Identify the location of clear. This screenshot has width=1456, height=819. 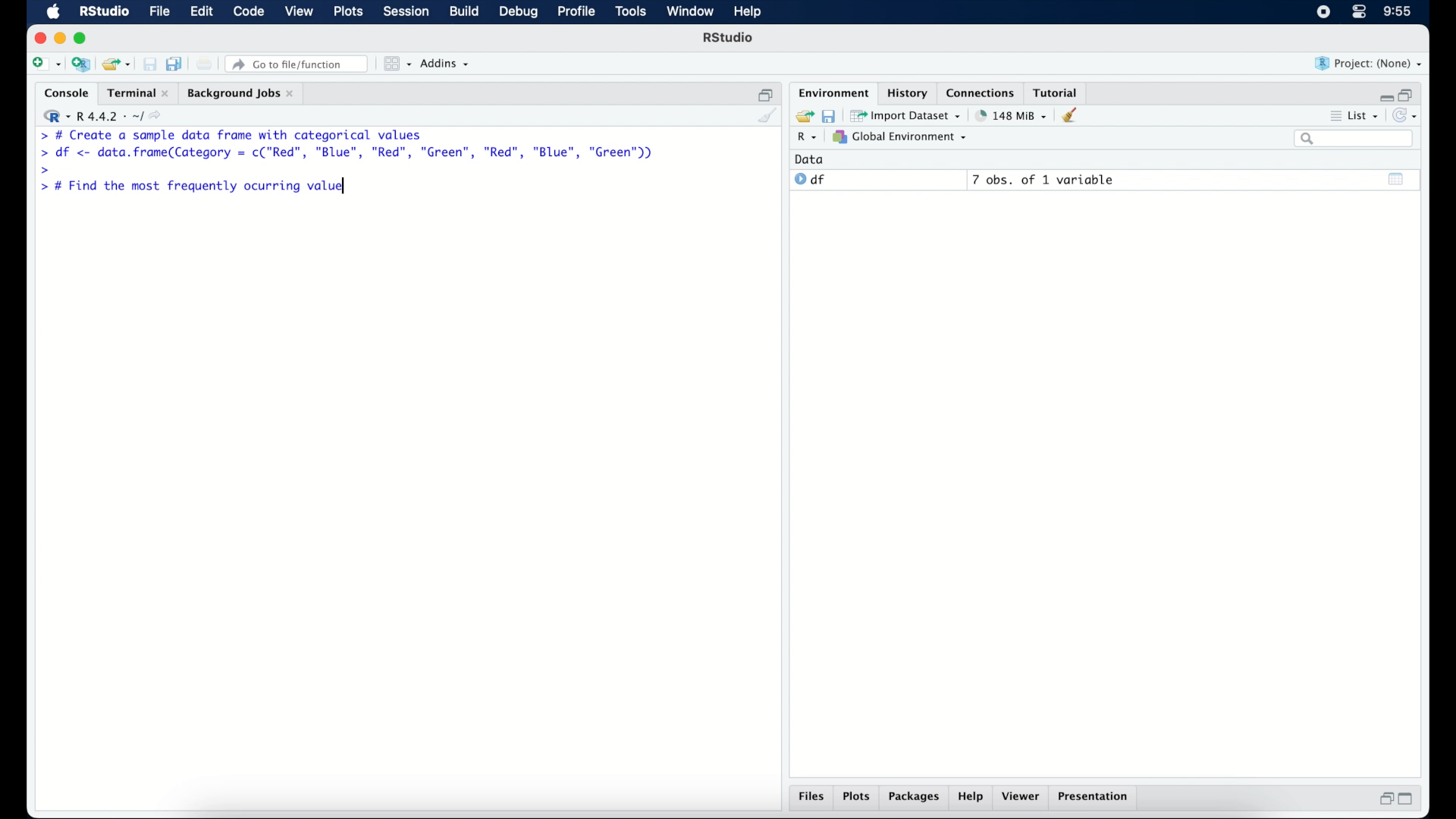
(1075, 116).